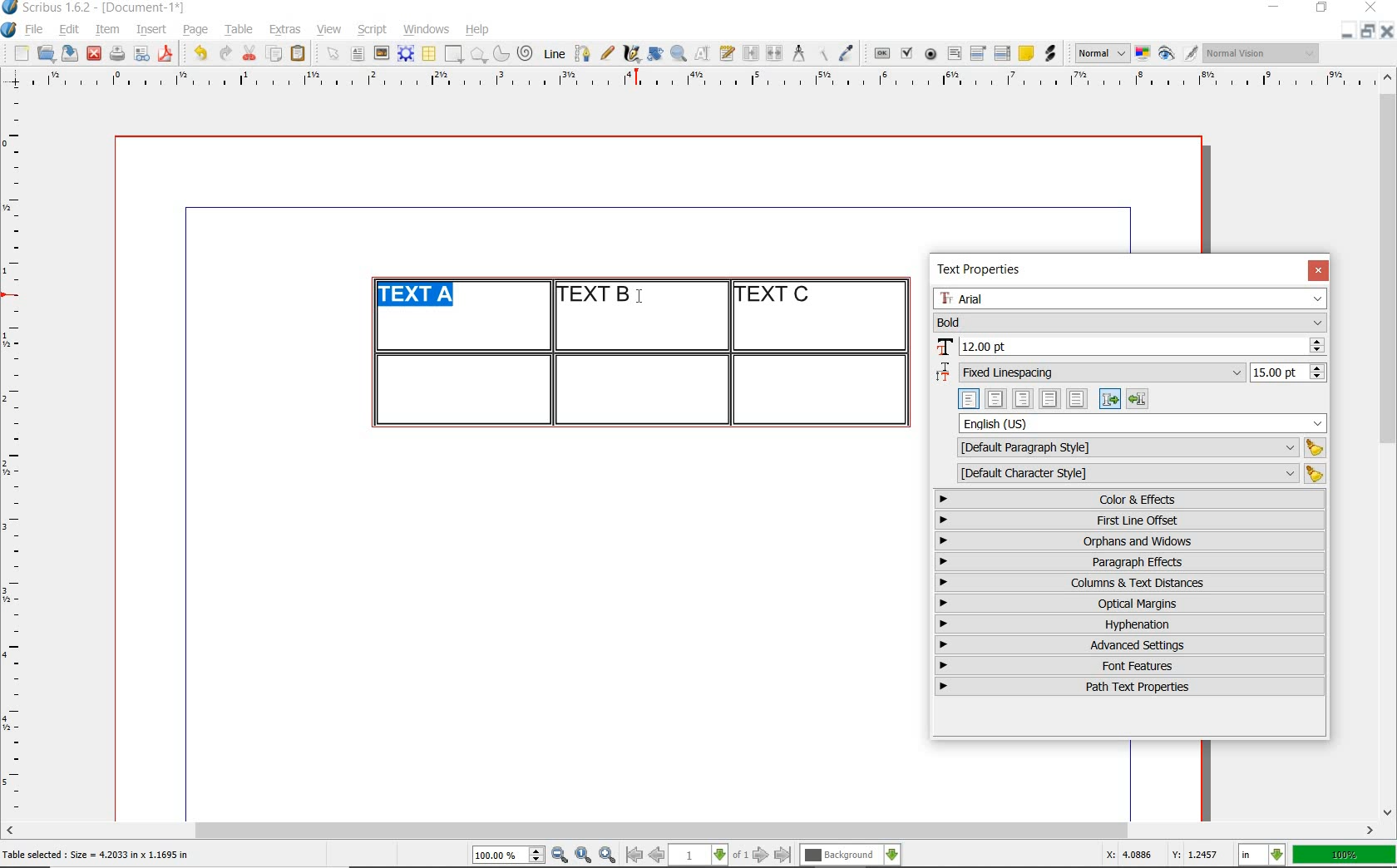 The width and height of the screenshot is (1397, 868). What do you see at coordinates (643, 298) in the screenshot?
I see `cursor` at bounding box center [643, 298].